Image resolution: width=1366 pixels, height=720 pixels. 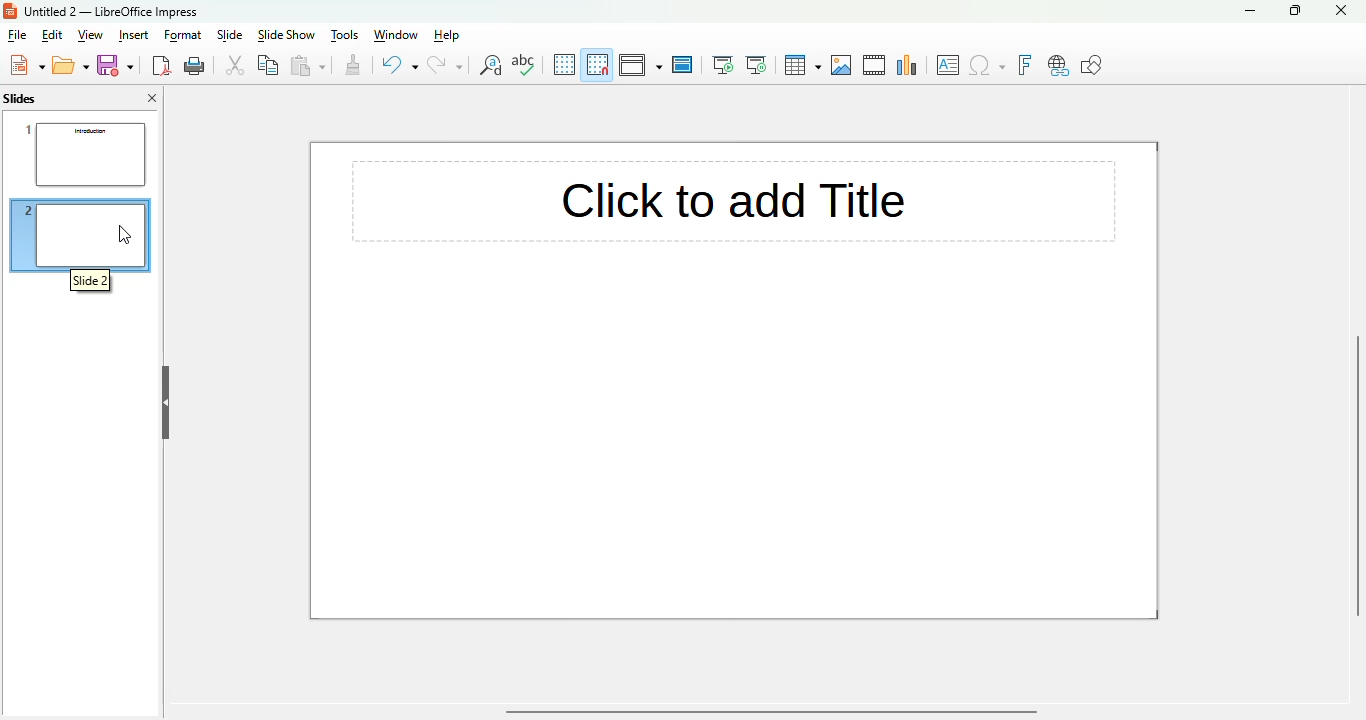 What do you see at coordinates (309, 65) in the screenshot?
I see `paste` at bounding box center [309, 65].